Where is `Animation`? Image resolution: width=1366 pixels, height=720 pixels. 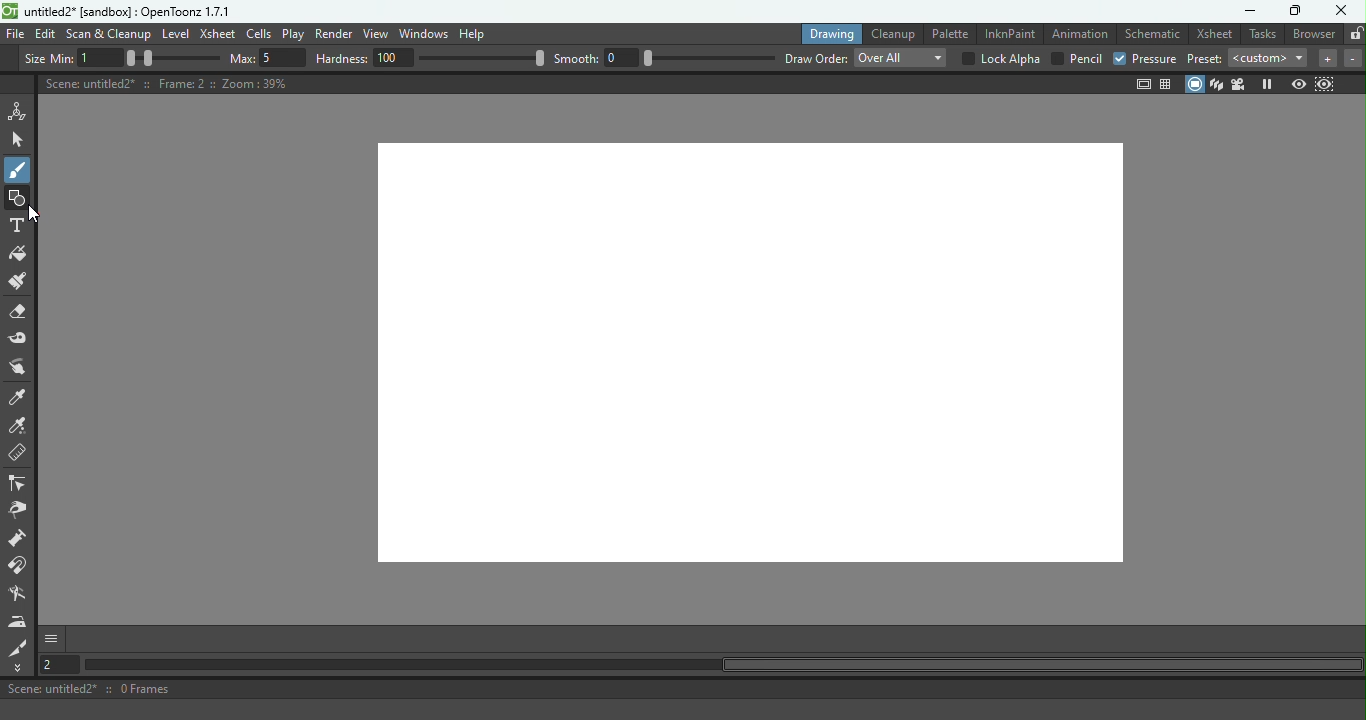
Animation is located at coordinates (1078, 34).